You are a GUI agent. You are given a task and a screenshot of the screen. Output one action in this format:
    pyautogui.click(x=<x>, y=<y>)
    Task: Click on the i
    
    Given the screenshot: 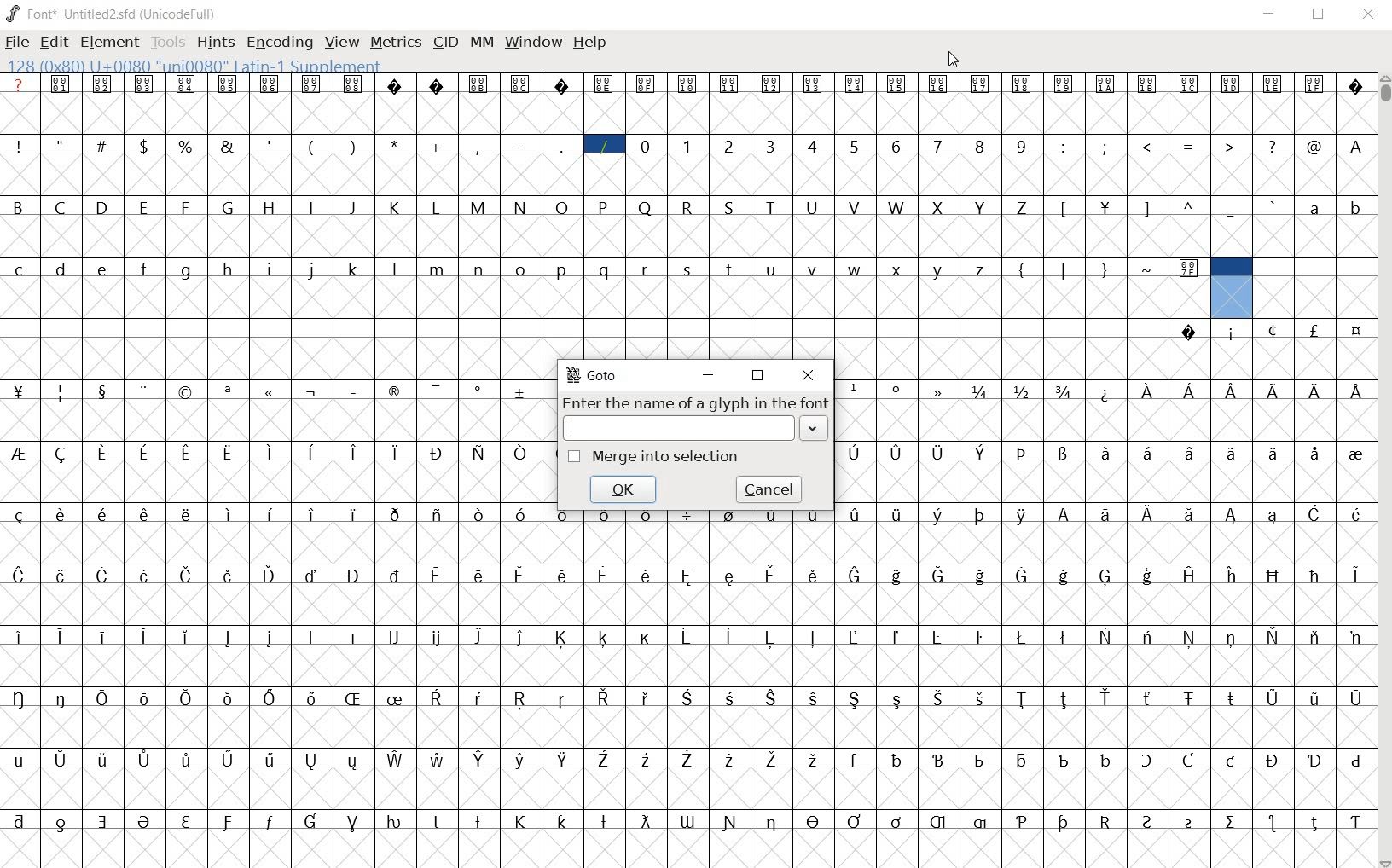 What is the action you would take?
    pyautogui.click(x=270, y=268)
    